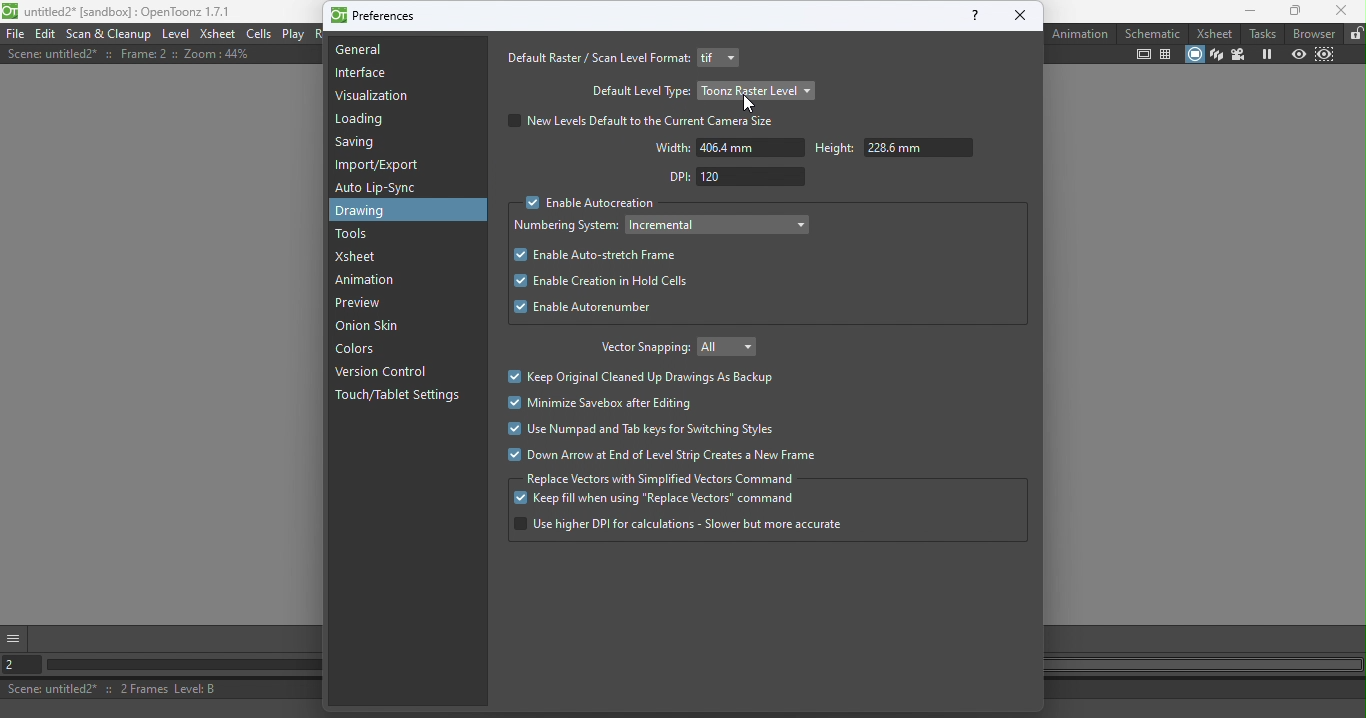  What do you see at coordinates (586, 204) in the screenshot?
I see `Enable Autocreation` at bounding box center [586, 204].